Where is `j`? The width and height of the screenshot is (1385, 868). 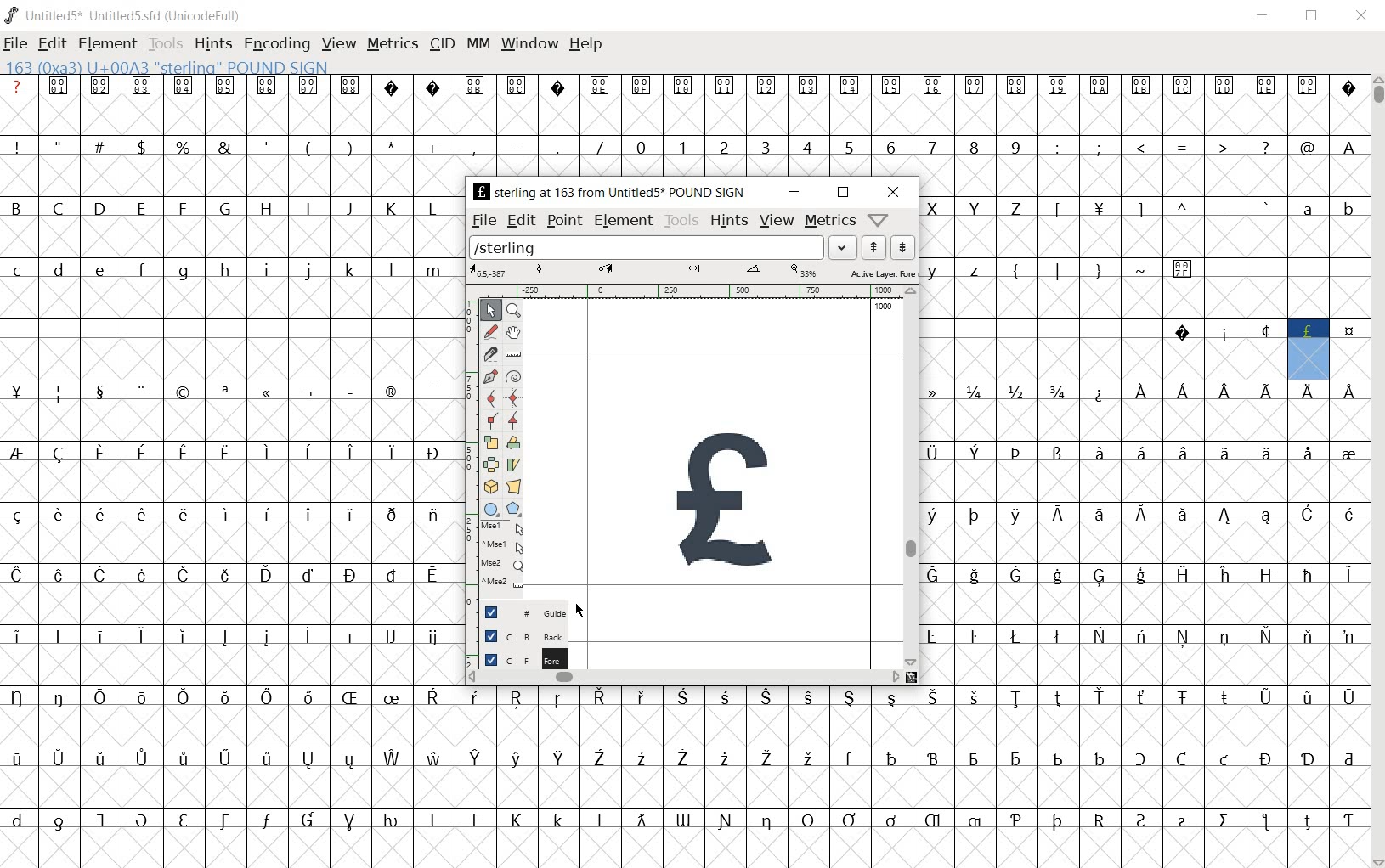
j is located at coordinates (308, 272).